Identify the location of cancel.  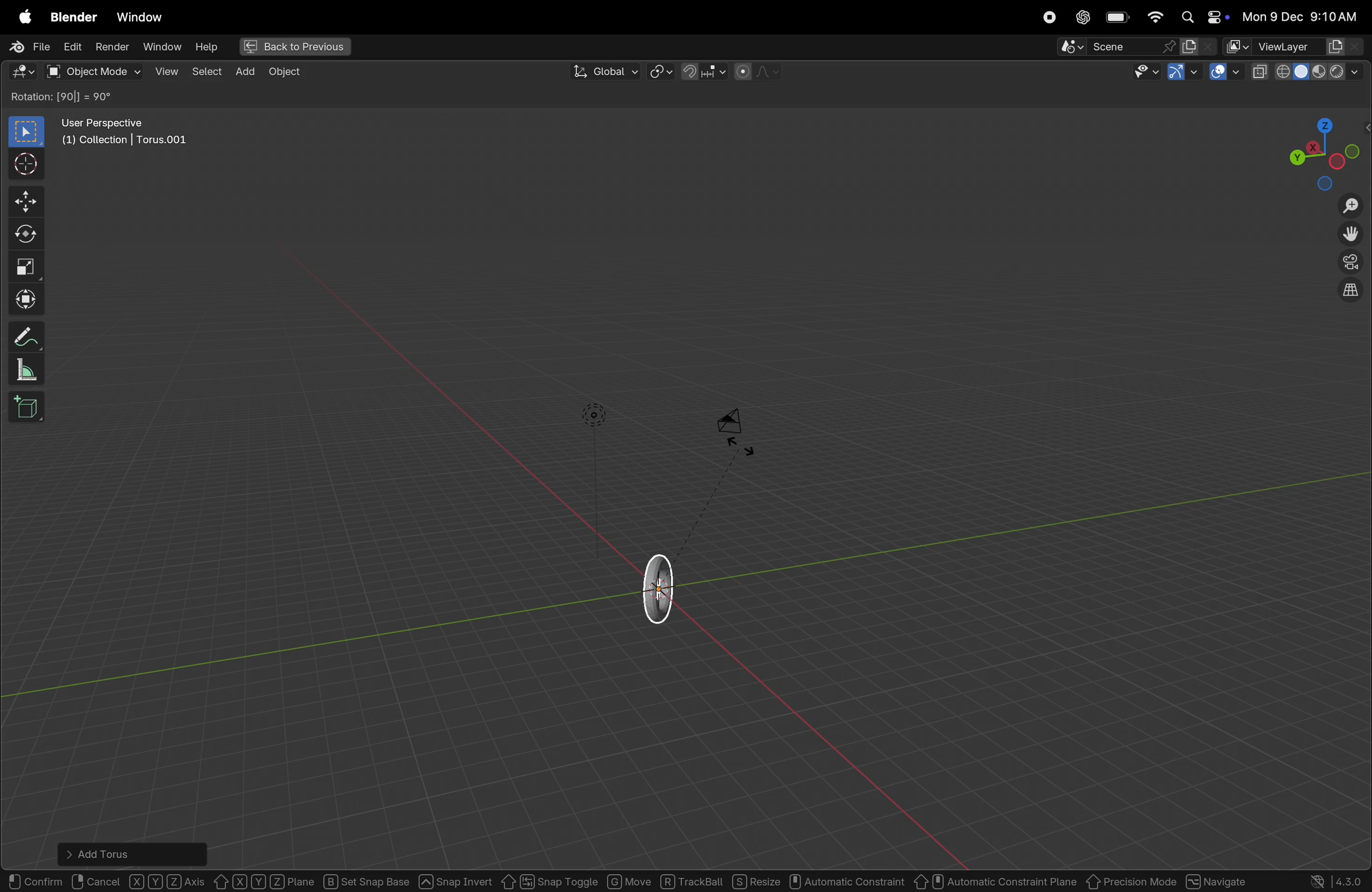
(97, 879).